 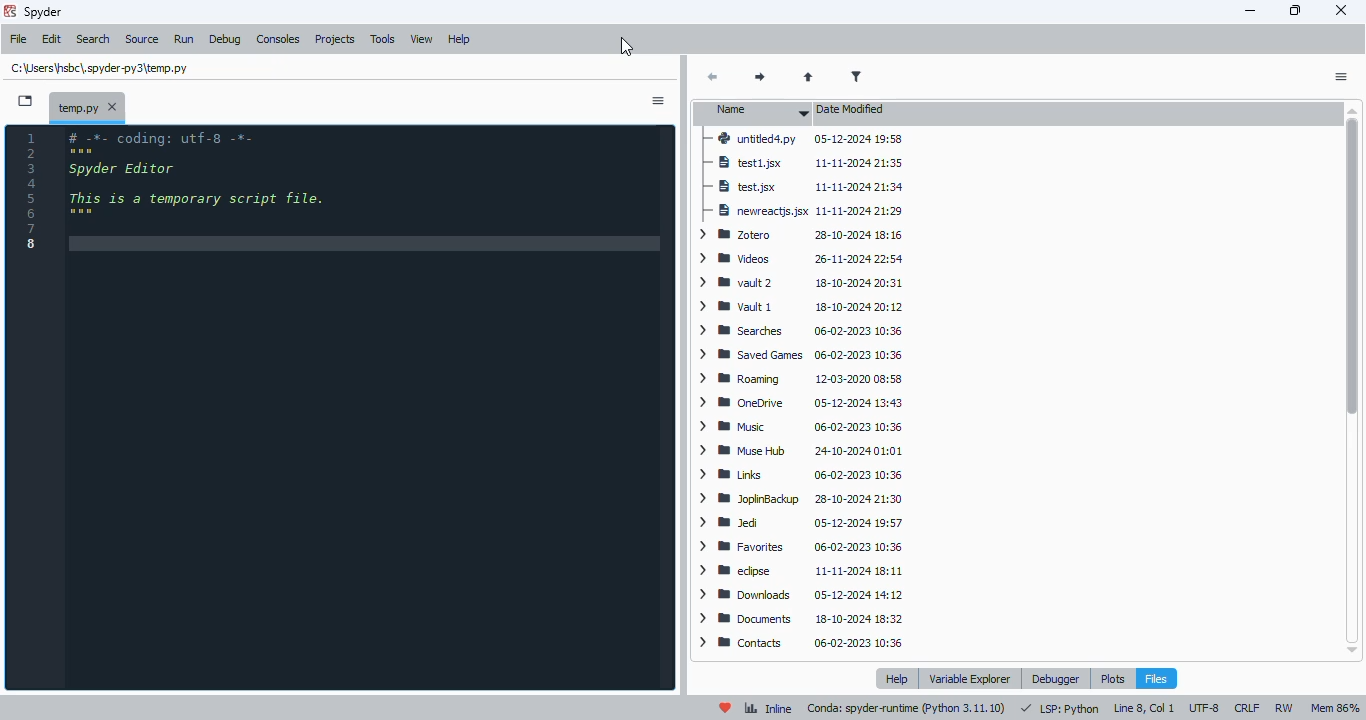 What do you see at coordinates (1295, 10) in the screenshot?
I see `maximize` at bounding box center [1295, 10].